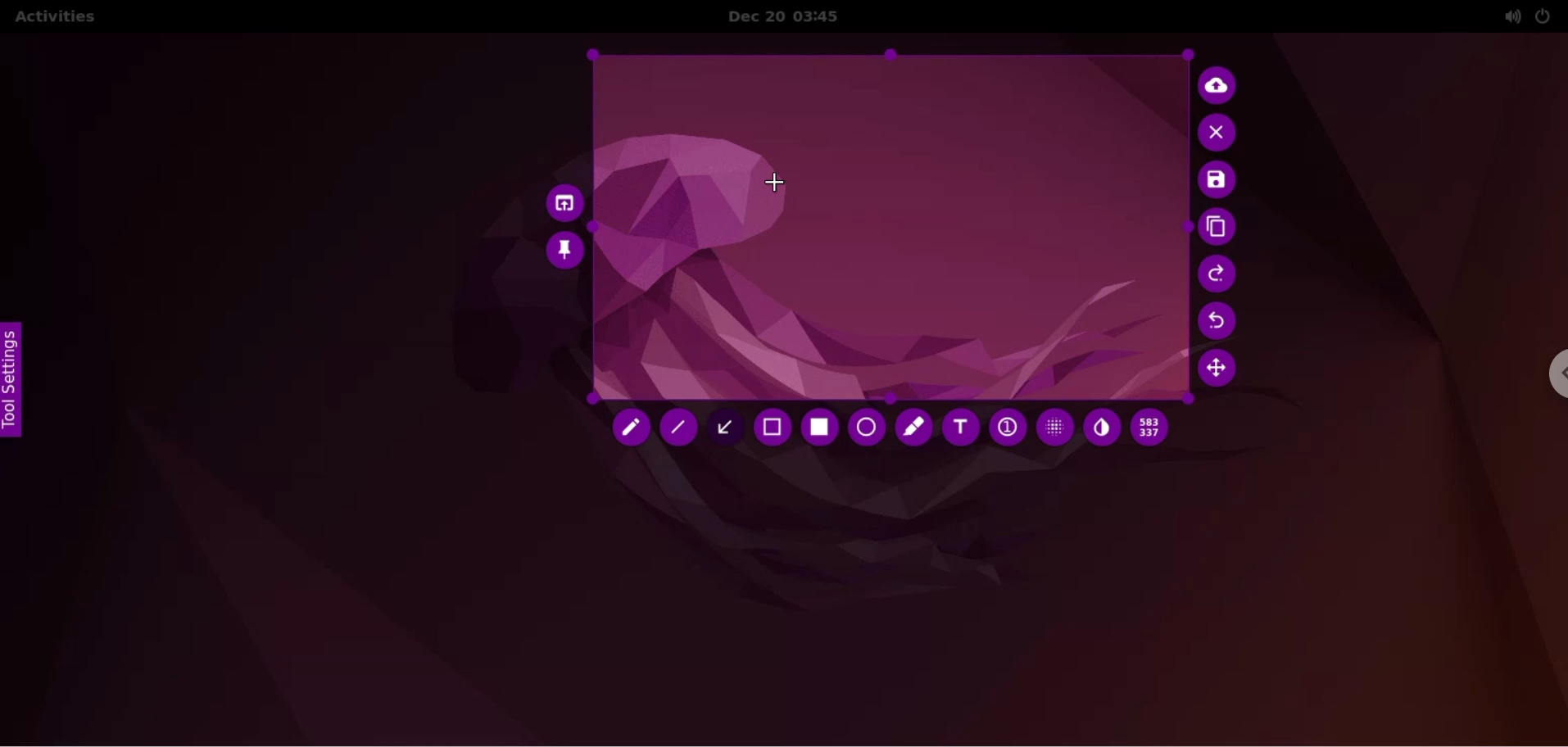 This screenshot has height=747, width=1568. What do you see at coordinates (1102, 428) in the screenshot?
I see `inverter tool` at bounding box center [1102, 428].